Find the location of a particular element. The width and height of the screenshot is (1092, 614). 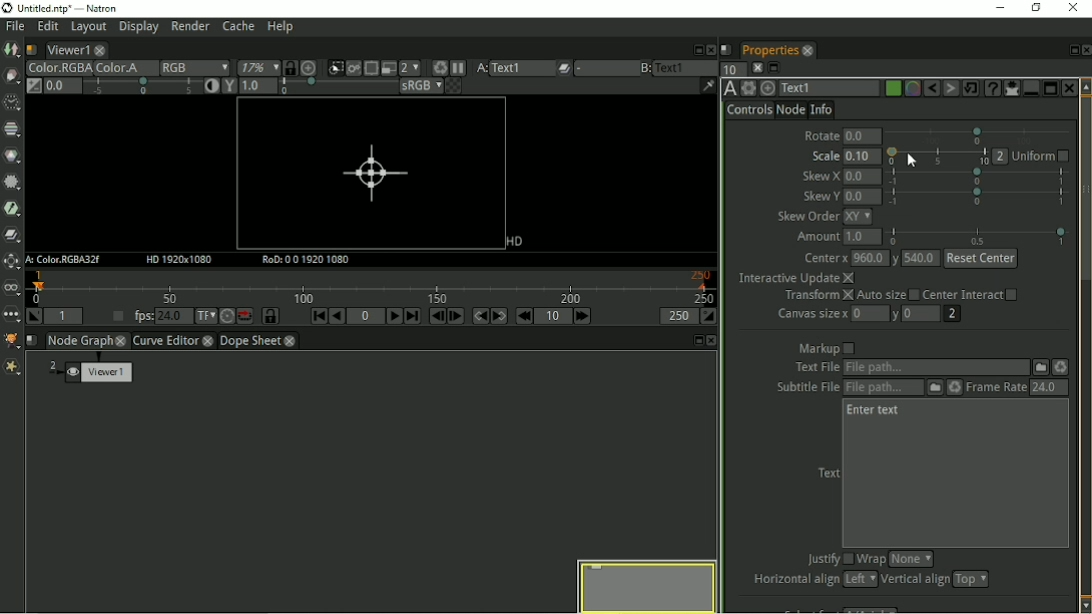

Script name is located at coordinates (31, 50).